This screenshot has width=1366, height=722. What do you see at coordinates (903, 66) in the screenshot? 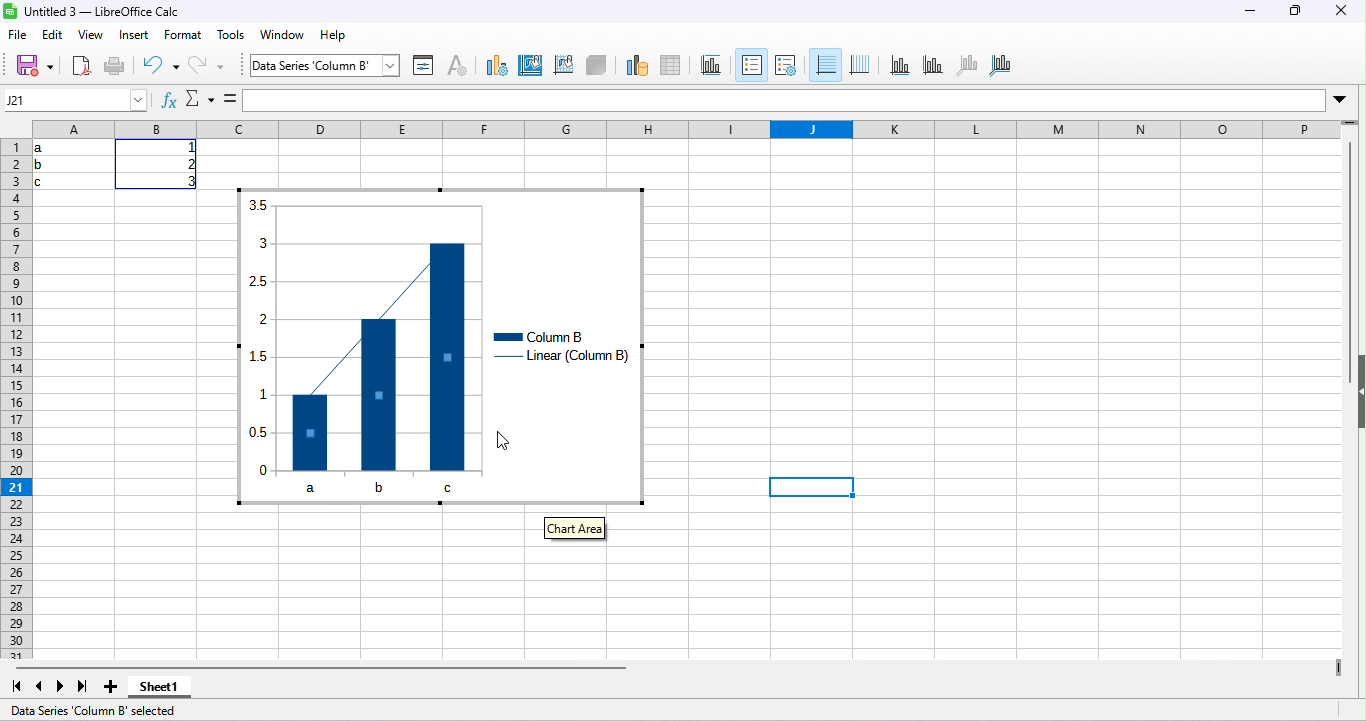
I see `x axis` at bounding box center [903, 66].